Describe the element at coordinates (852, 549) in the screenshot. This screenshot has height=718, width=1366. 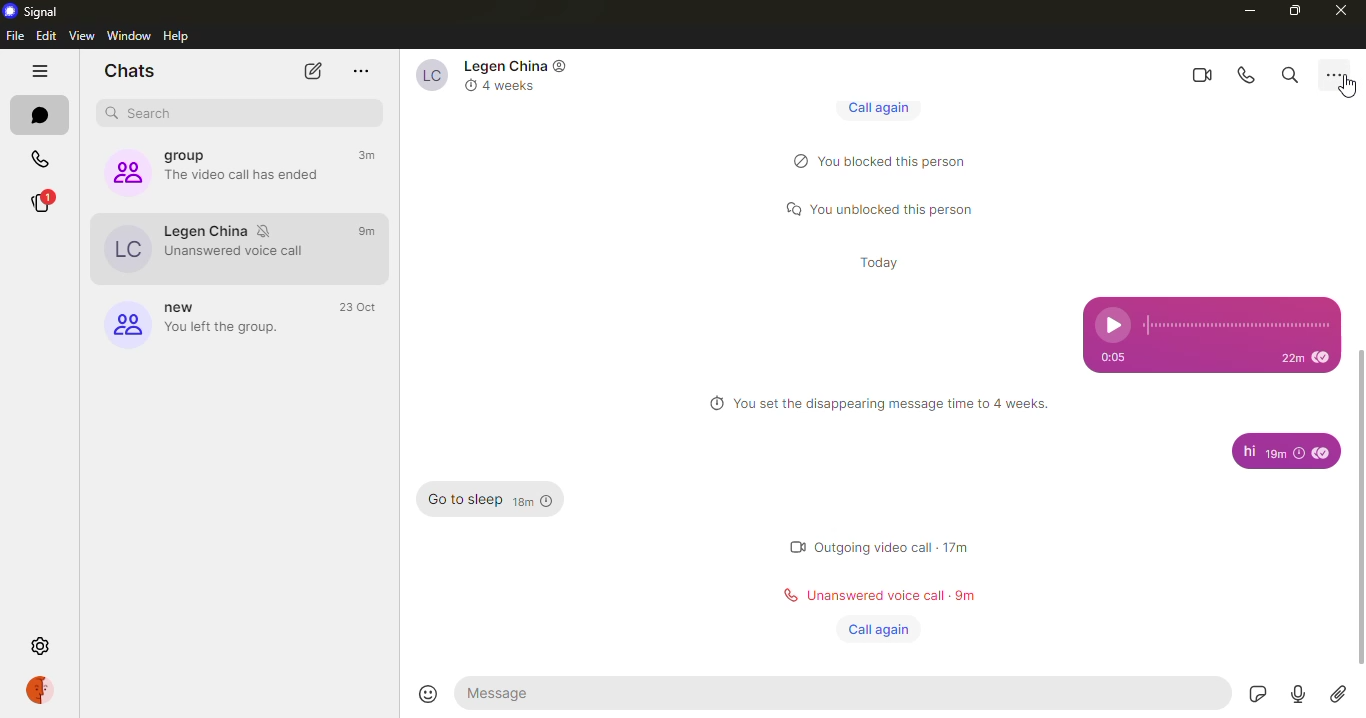
I see `status message` at that location.